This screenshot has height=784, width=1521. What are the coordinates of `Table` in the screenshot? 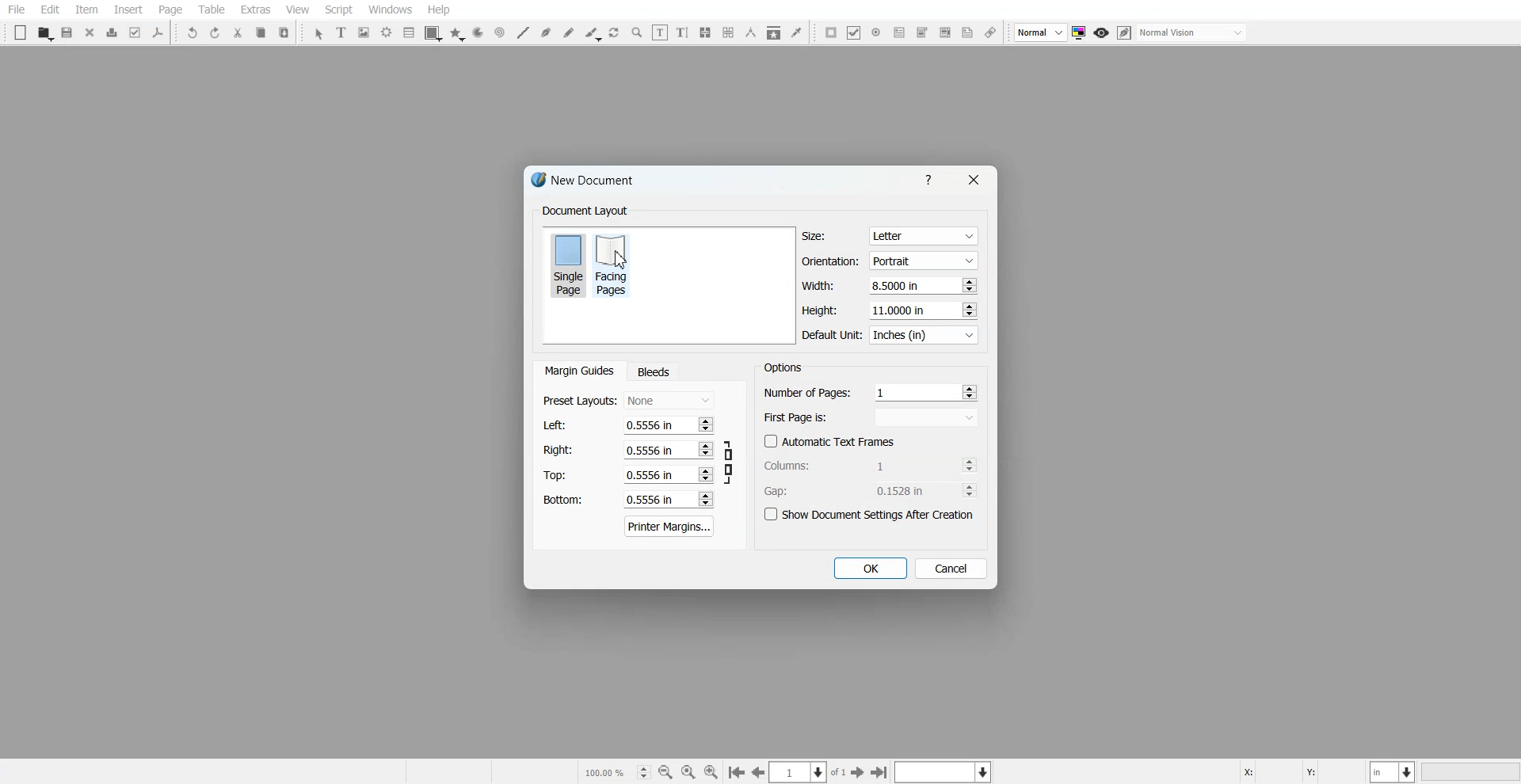 It's located at (211, 10).